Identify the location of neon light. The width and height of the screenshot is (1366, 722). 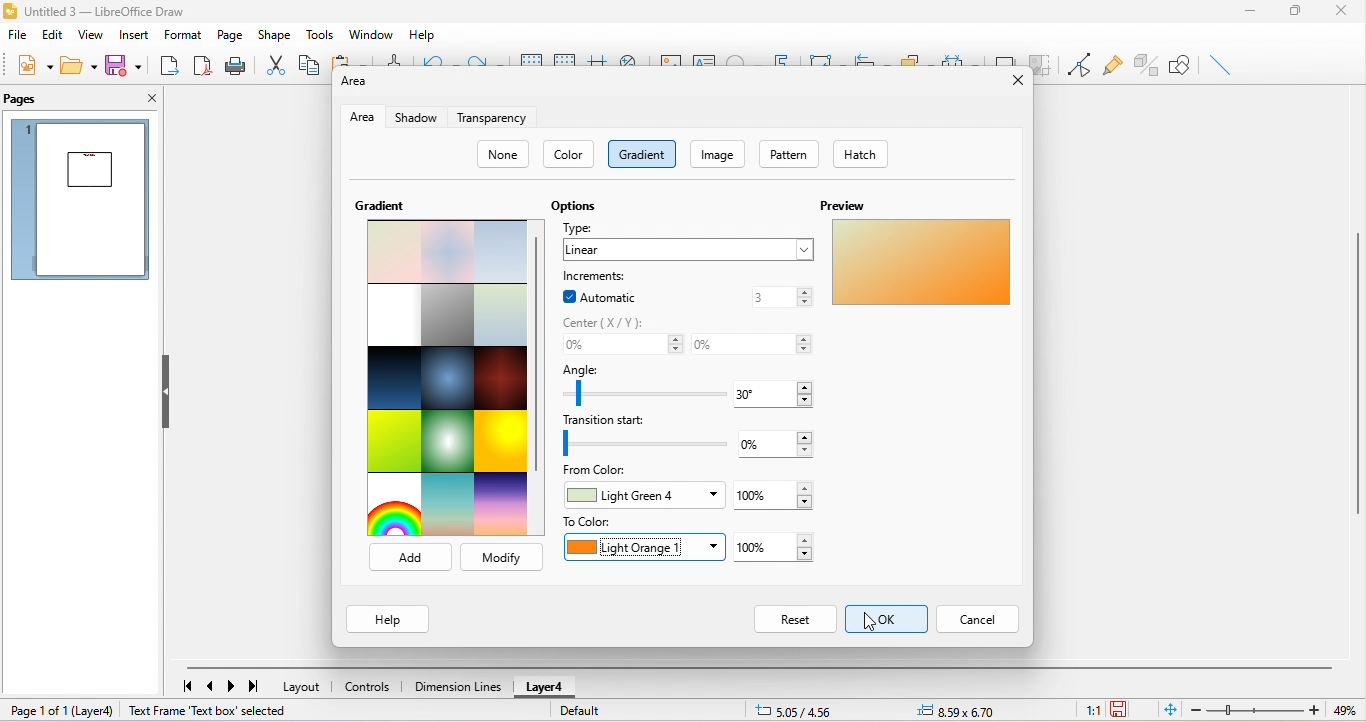
(447, 440).